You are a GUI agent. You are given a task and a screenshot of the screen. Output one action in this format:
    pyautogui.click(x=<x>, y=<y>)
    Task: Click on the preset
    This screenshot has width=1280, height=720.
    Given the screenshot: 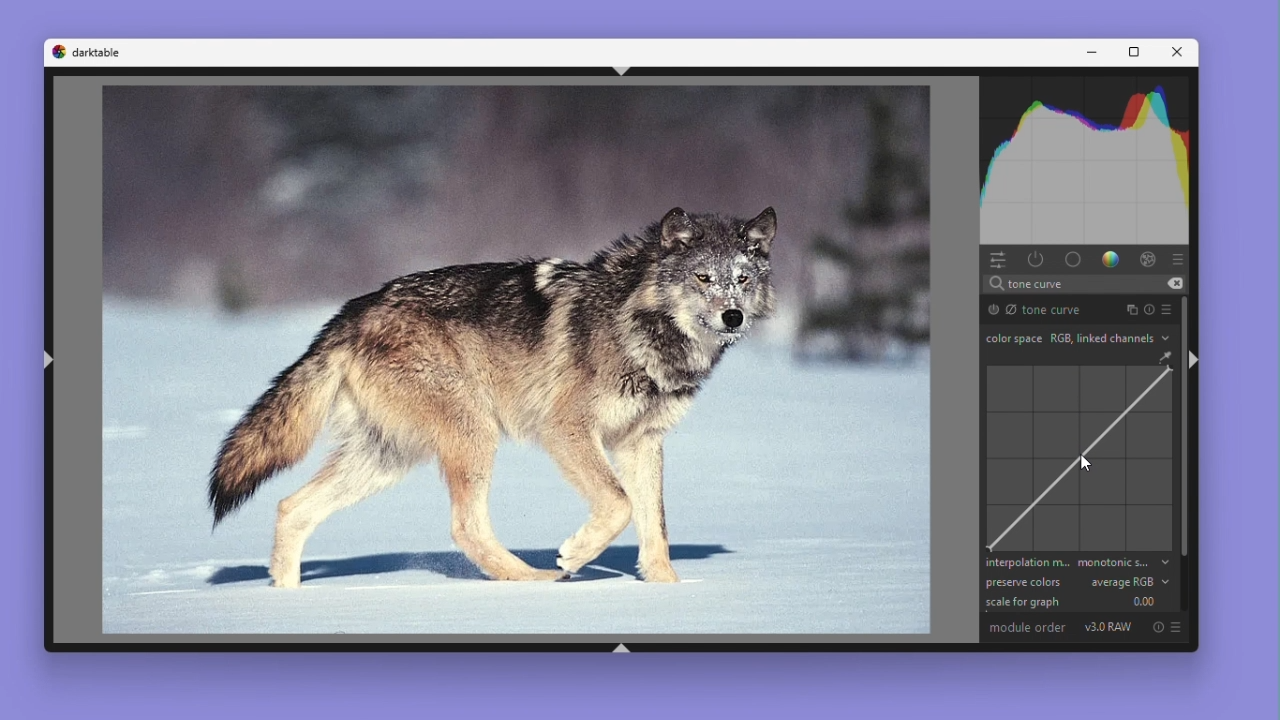 What is the action you would take?
    pyautogui.click(x=1176, y=627)
    